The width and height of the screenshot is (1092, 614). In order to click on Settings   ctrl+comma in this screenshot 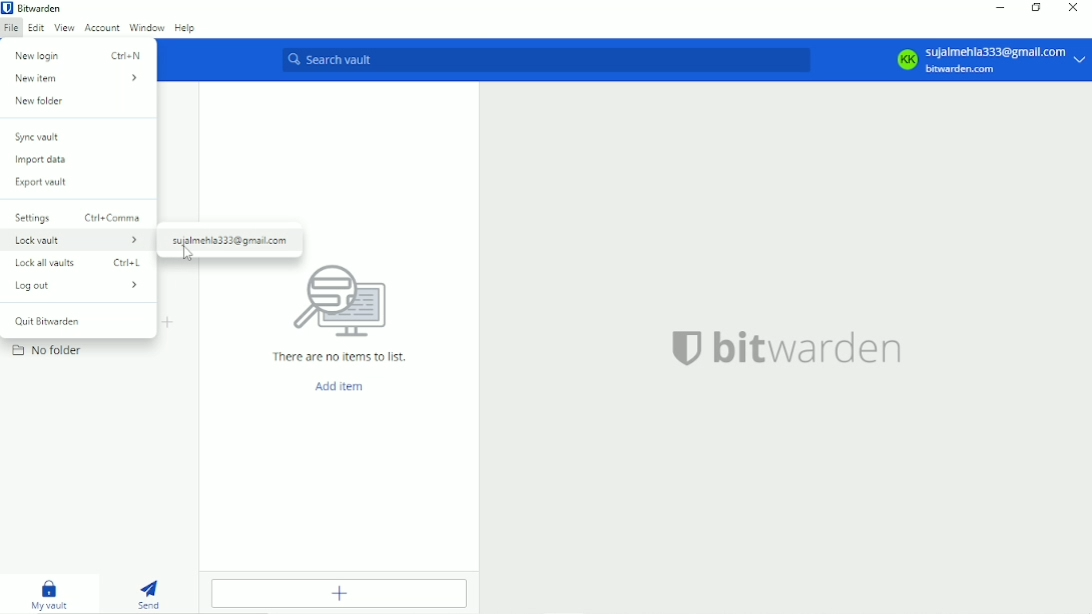, I will do `click(78, 217)`.